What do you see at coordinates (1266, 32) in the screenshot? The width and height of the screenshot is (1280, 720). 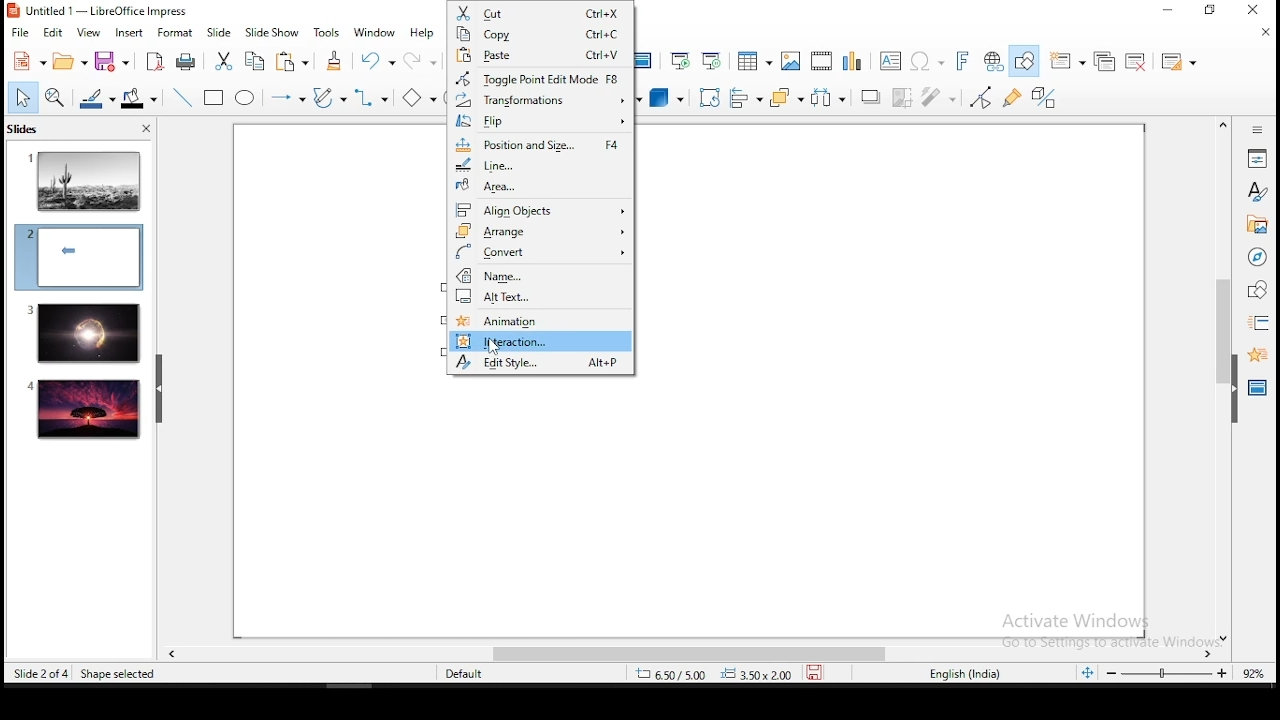 I see `close` at bounding box center [1266, 32].